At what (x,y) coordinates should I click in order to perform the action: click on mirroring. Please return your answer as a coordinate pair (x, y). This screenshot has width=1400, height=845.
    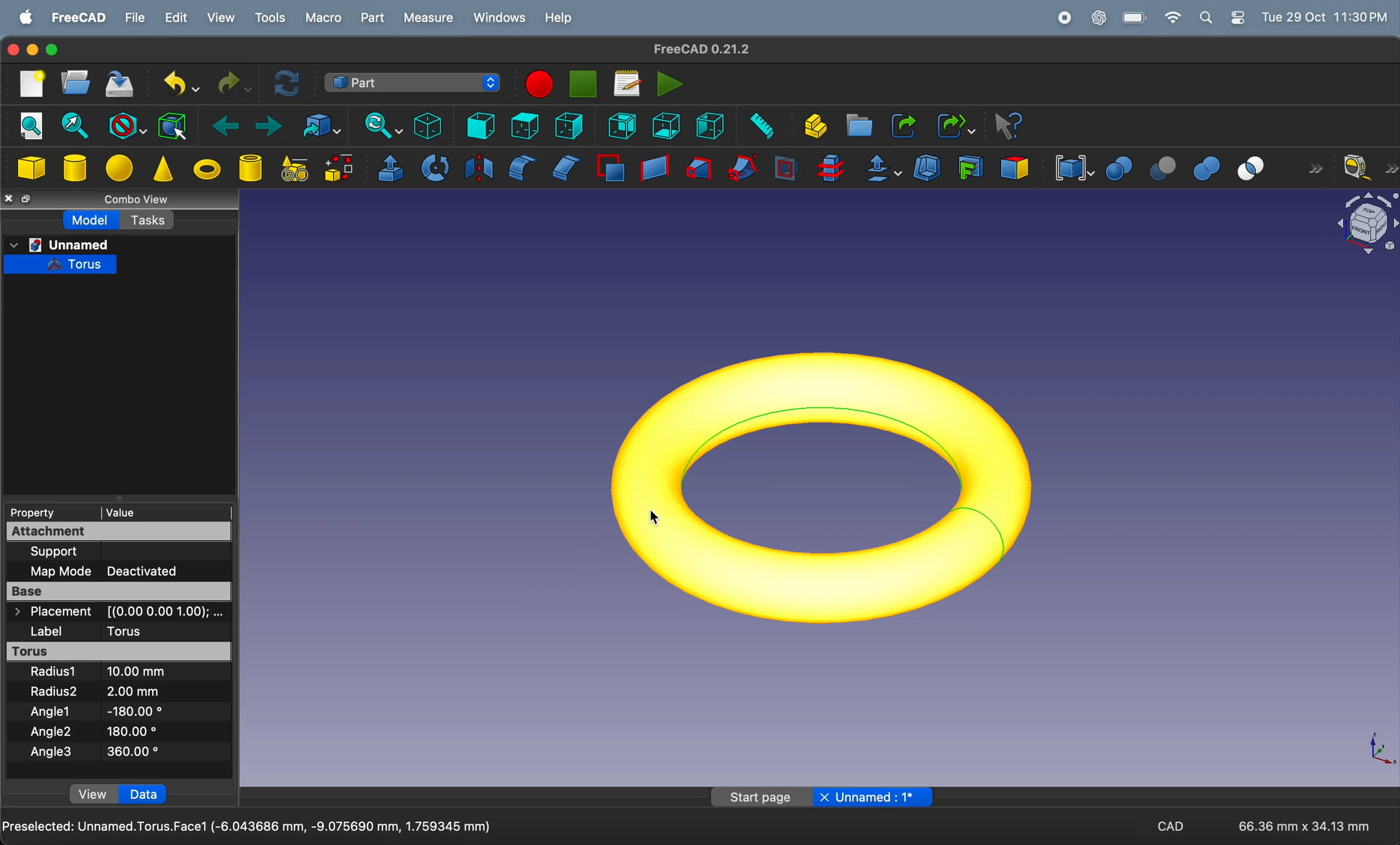
    Looking at the image, I should click on (476, 168).